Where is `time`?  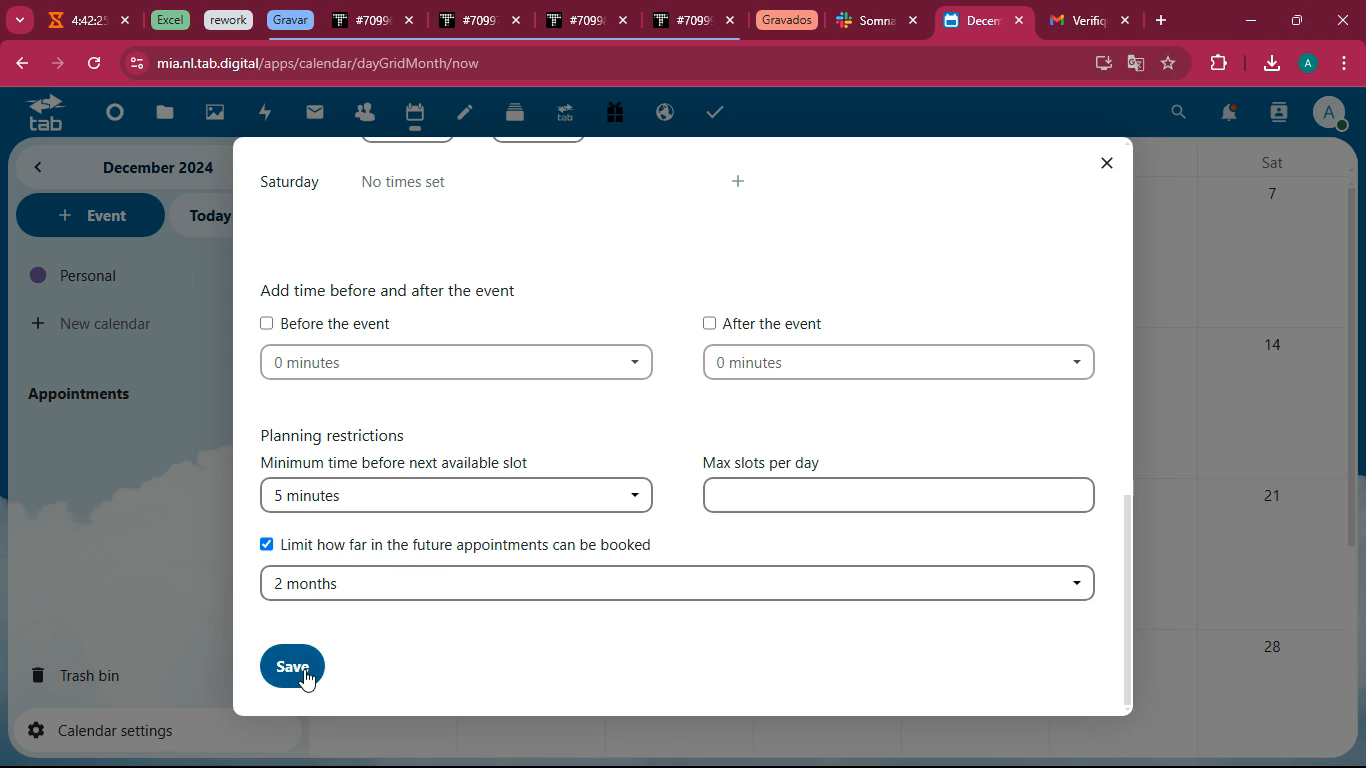
time is located at coordinates (906, 365).